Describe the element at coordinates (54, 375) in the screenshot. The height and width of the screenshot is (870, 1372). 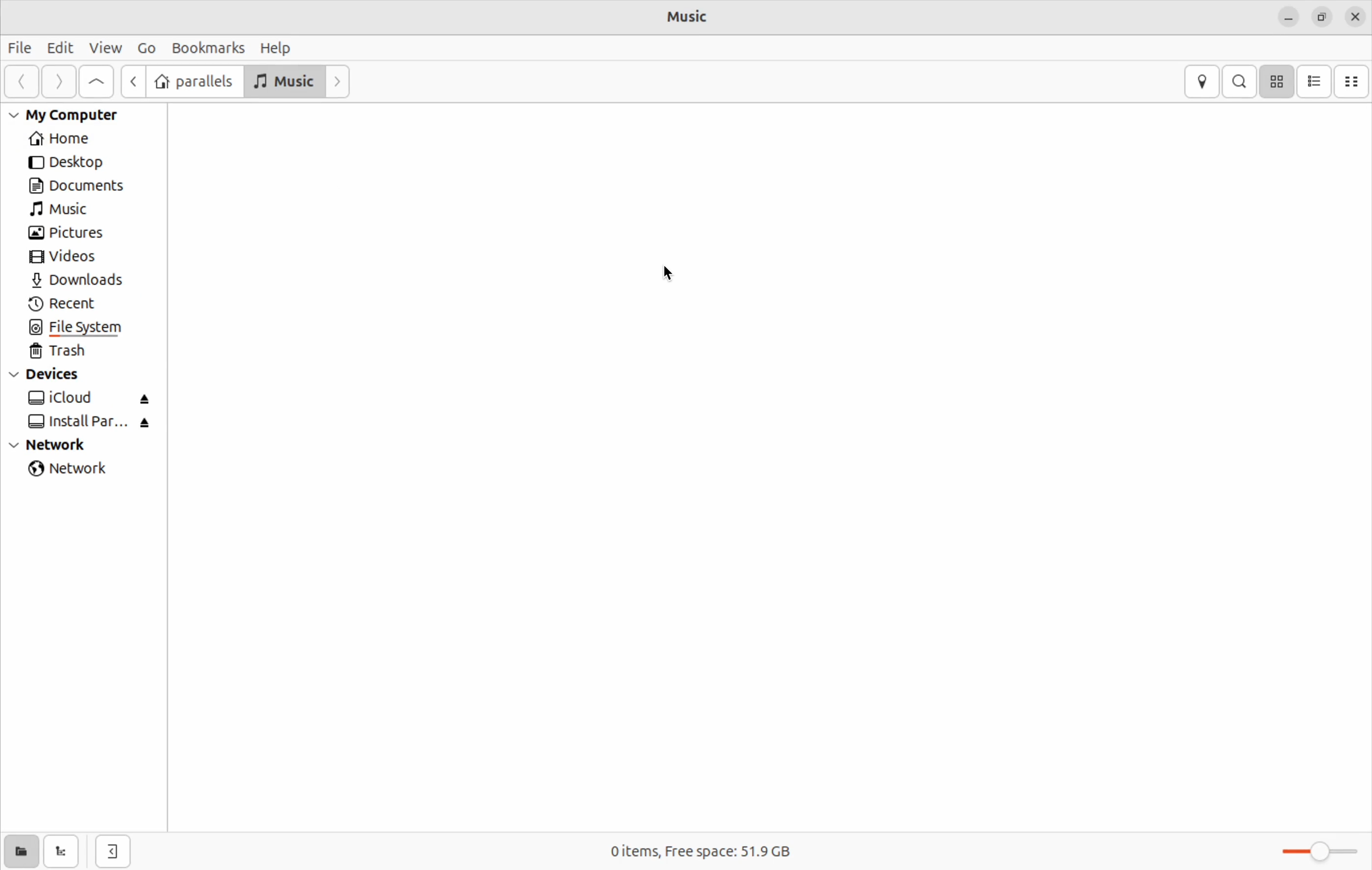
I see `devices` at that location.